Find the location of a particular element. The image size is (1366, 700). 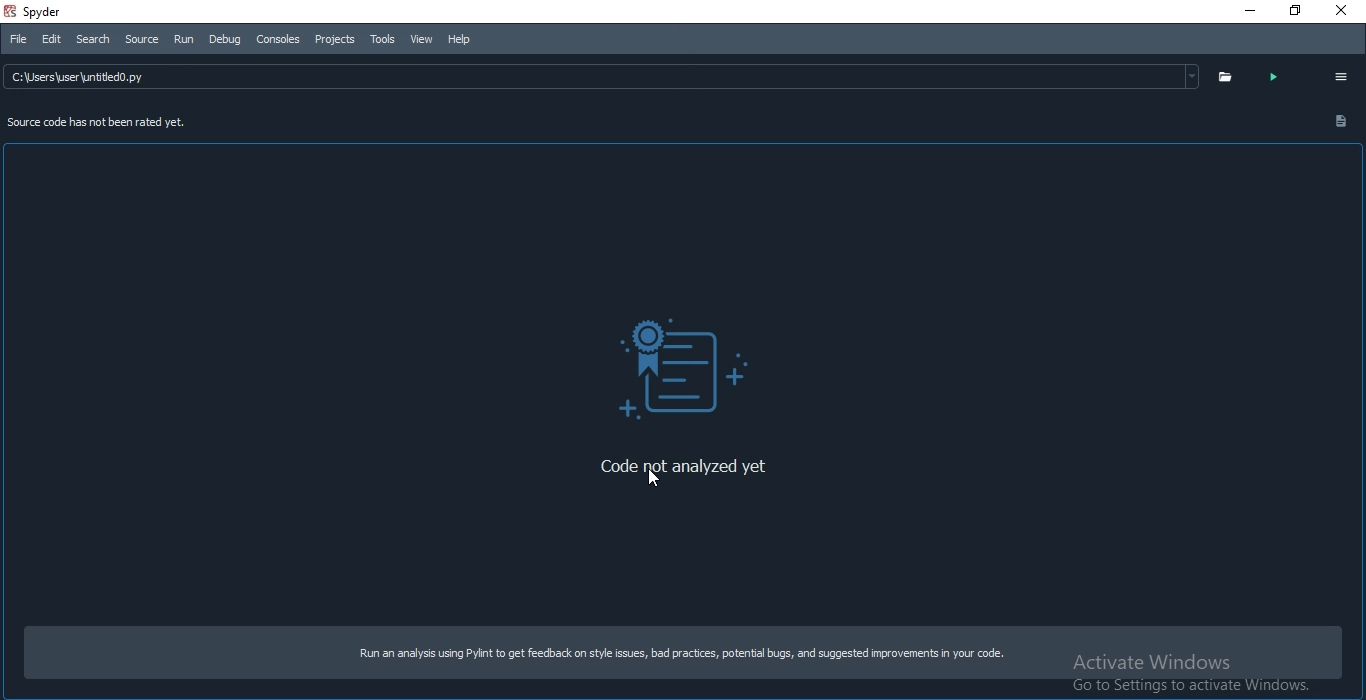

Source is located at coordinates (140, 38).